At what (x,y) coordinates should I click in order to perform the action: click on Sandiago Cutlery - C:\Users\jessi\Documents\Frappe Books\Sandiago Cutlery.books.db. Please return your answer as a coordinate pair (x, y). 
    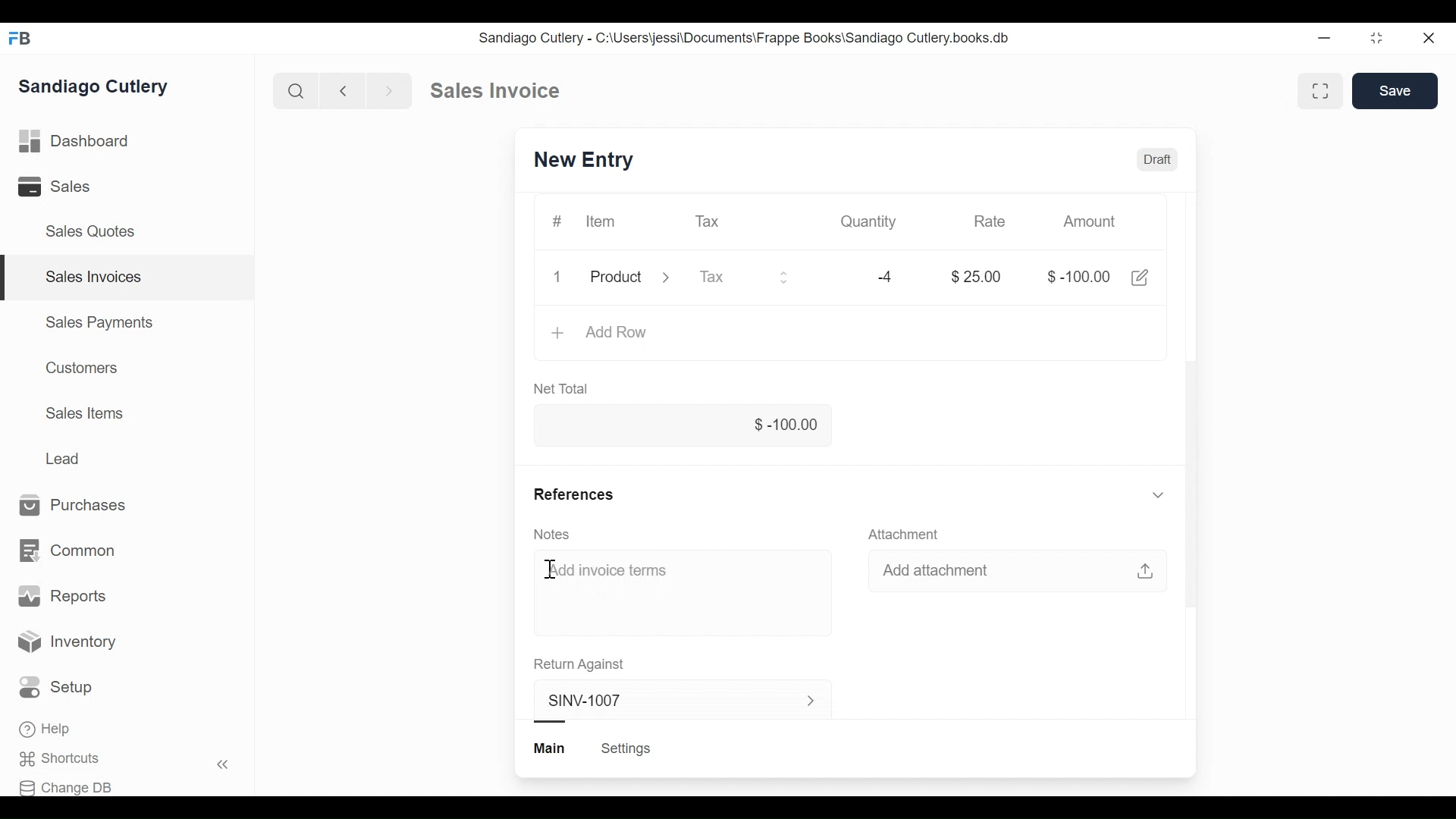
    Looking at the image, I should click on (745, 39).